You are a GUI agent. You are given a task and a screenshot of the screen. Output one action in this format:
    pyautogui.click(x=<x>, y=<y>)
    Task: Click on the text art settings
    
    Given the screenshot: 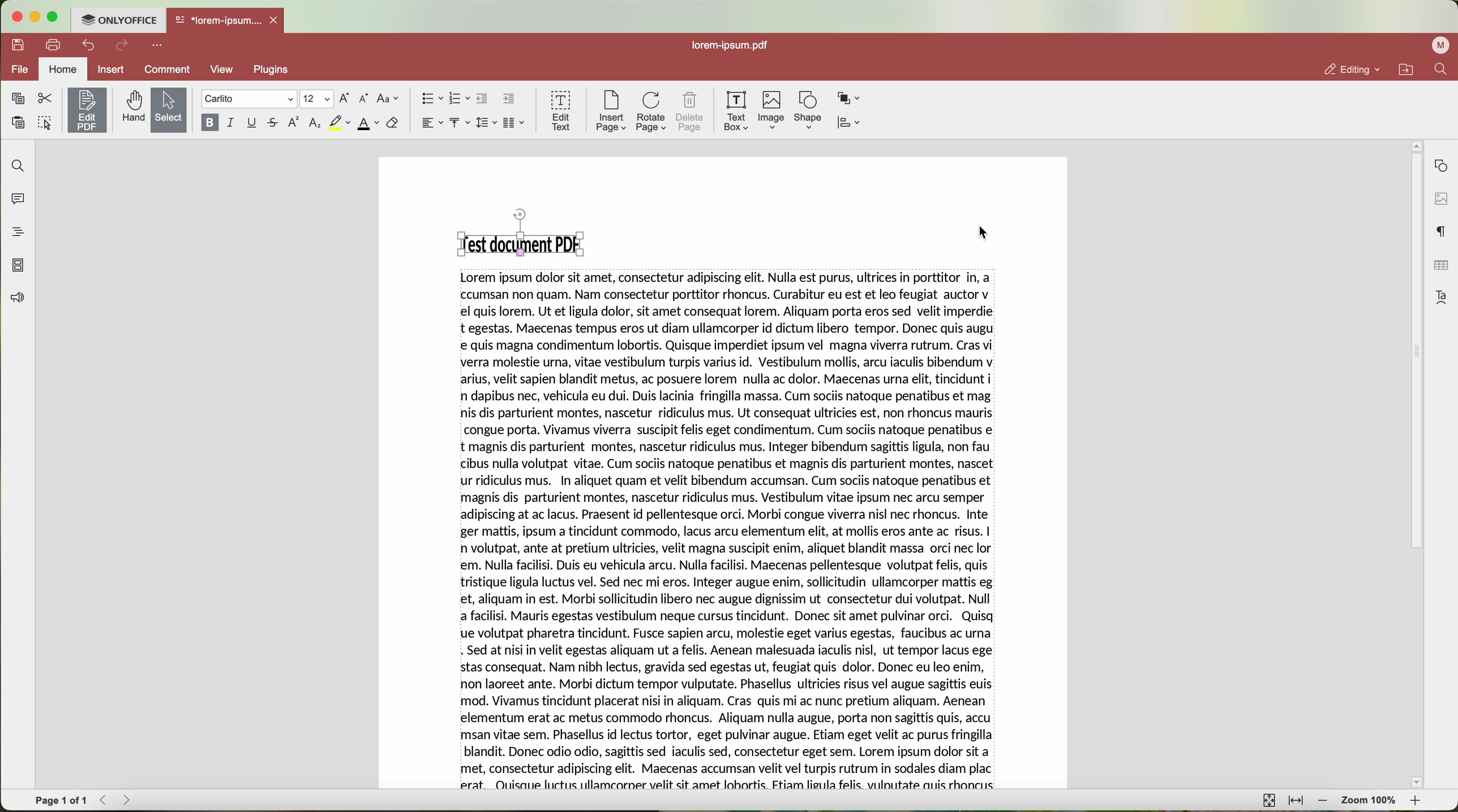 What is the action you would take?
    pyautogui.click(x=1442, y=297)
    